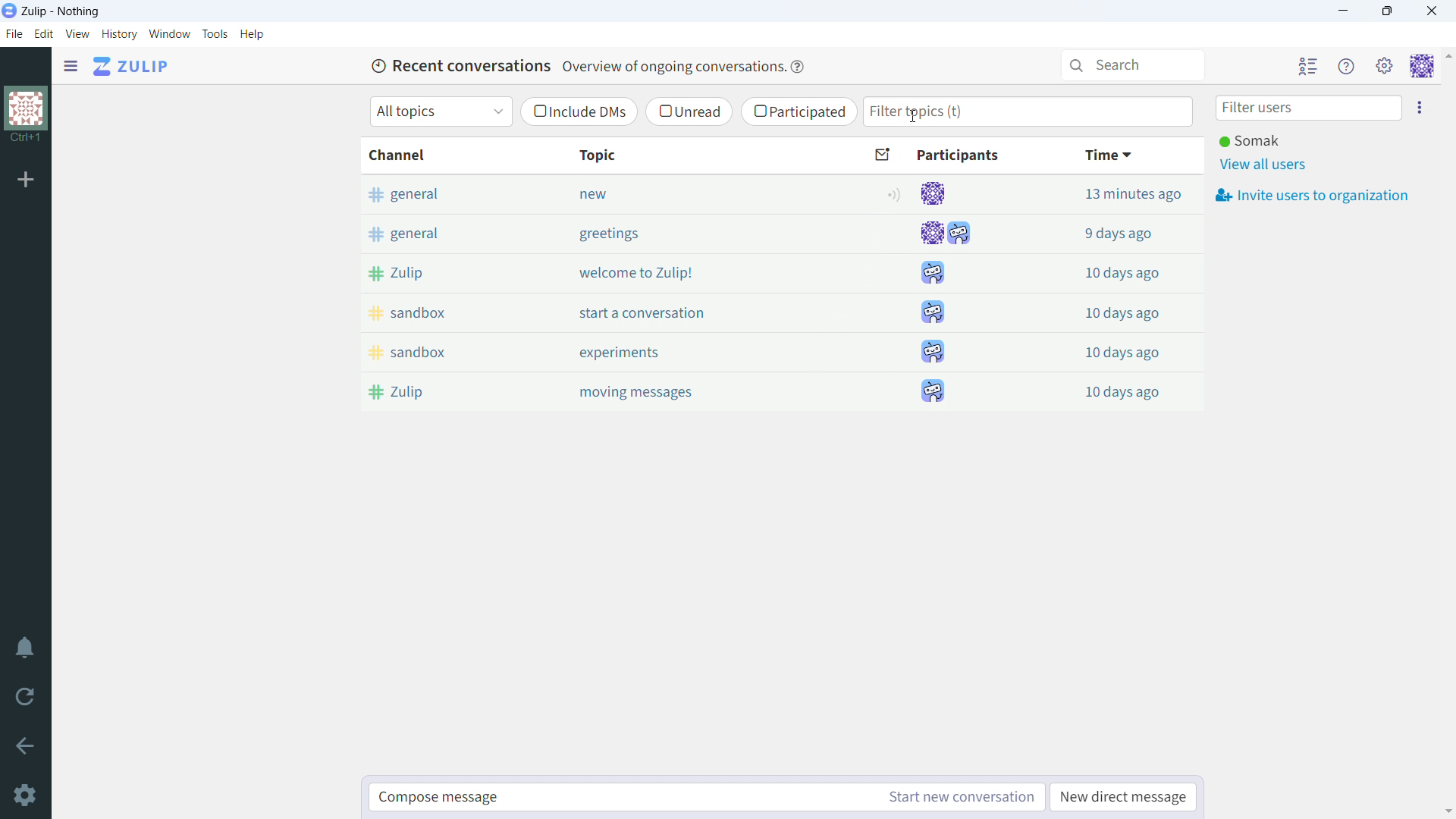 This screenshot has height=819, width=1456. Describe the element at coordinates (689, 111) in the screenshot. I see `unread` at that location.